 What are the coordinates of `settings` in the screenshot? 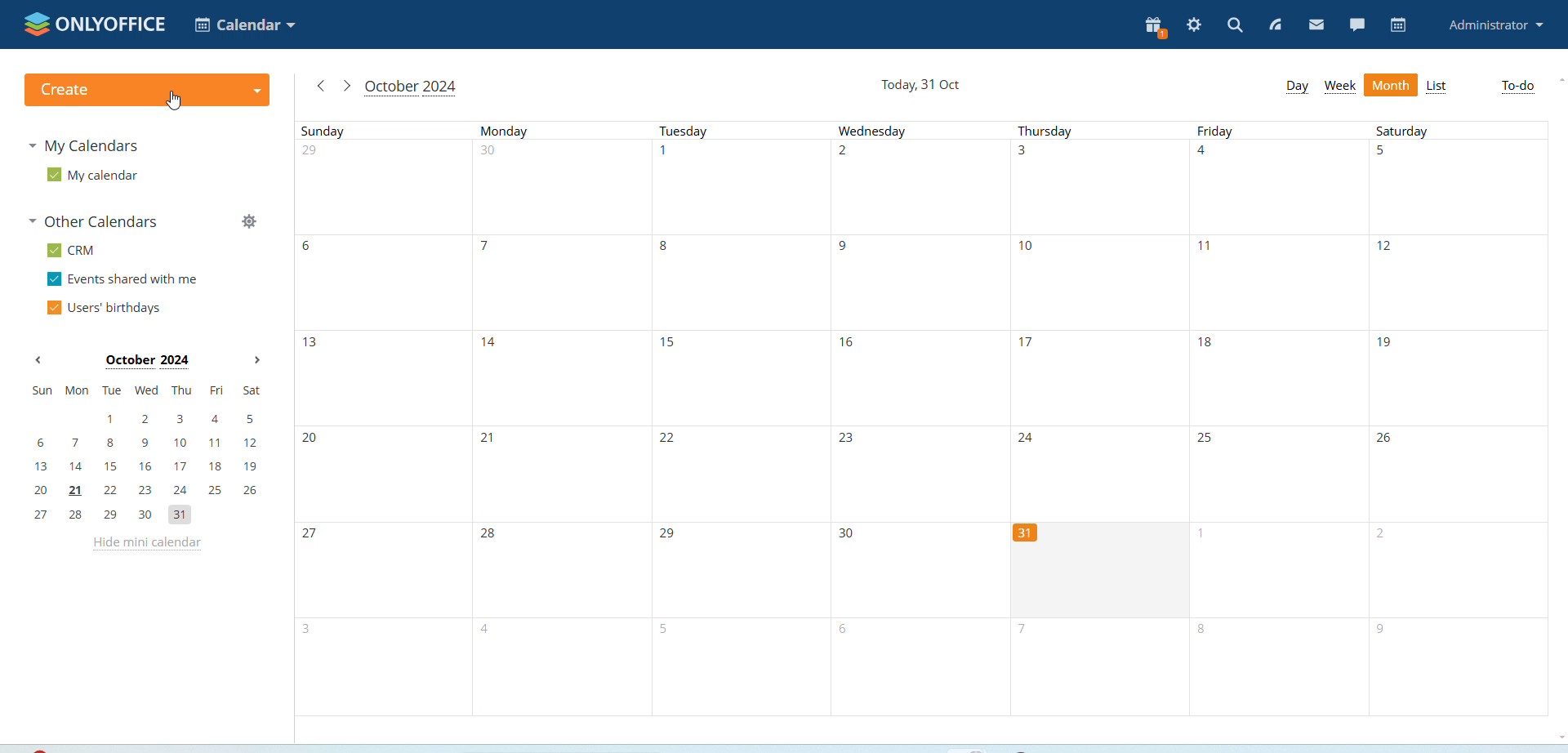 It's located at (1195, 25).